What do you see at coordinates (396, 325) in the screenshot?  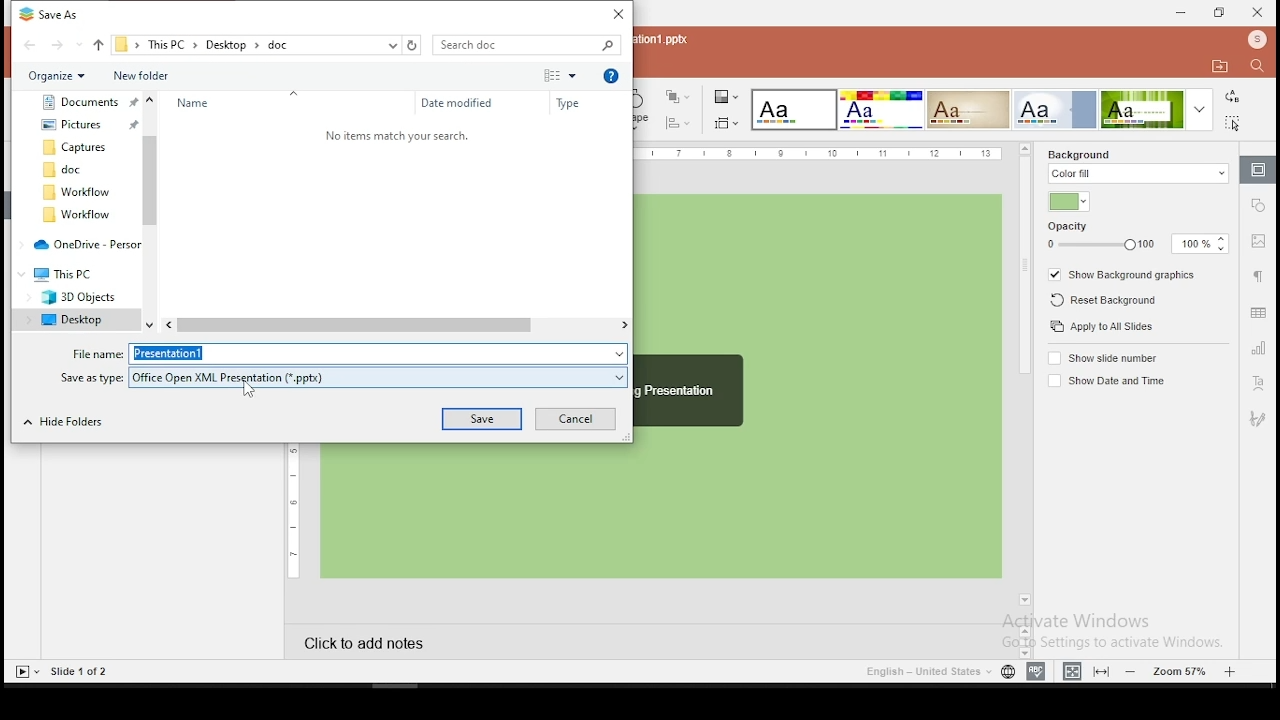 I see `Horizontal scrollbar` at bounding box center [396, 325].